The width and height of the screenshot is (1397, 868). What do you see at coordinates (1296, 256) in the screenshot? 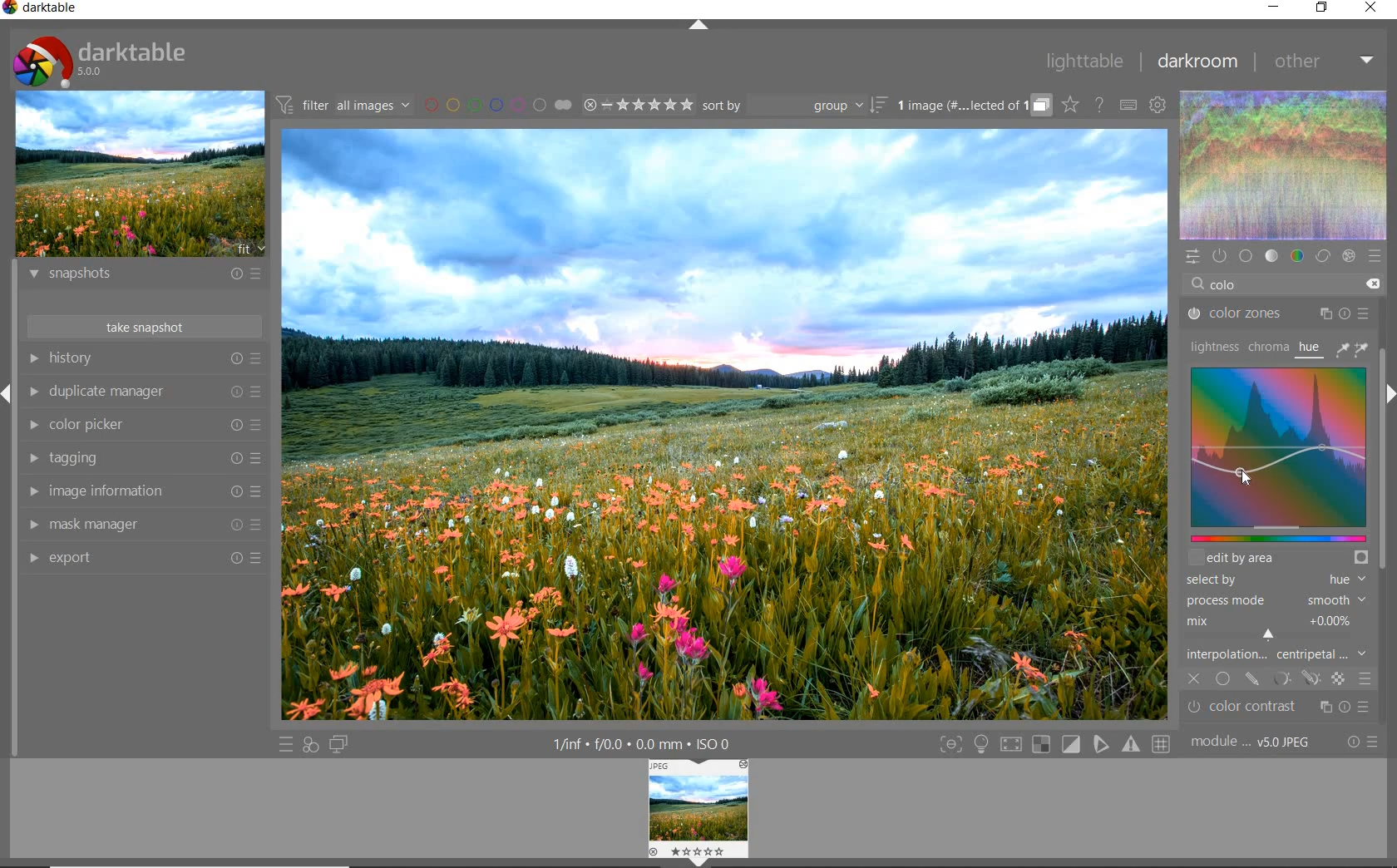
I see `color` at bounding box center [1296, 256].